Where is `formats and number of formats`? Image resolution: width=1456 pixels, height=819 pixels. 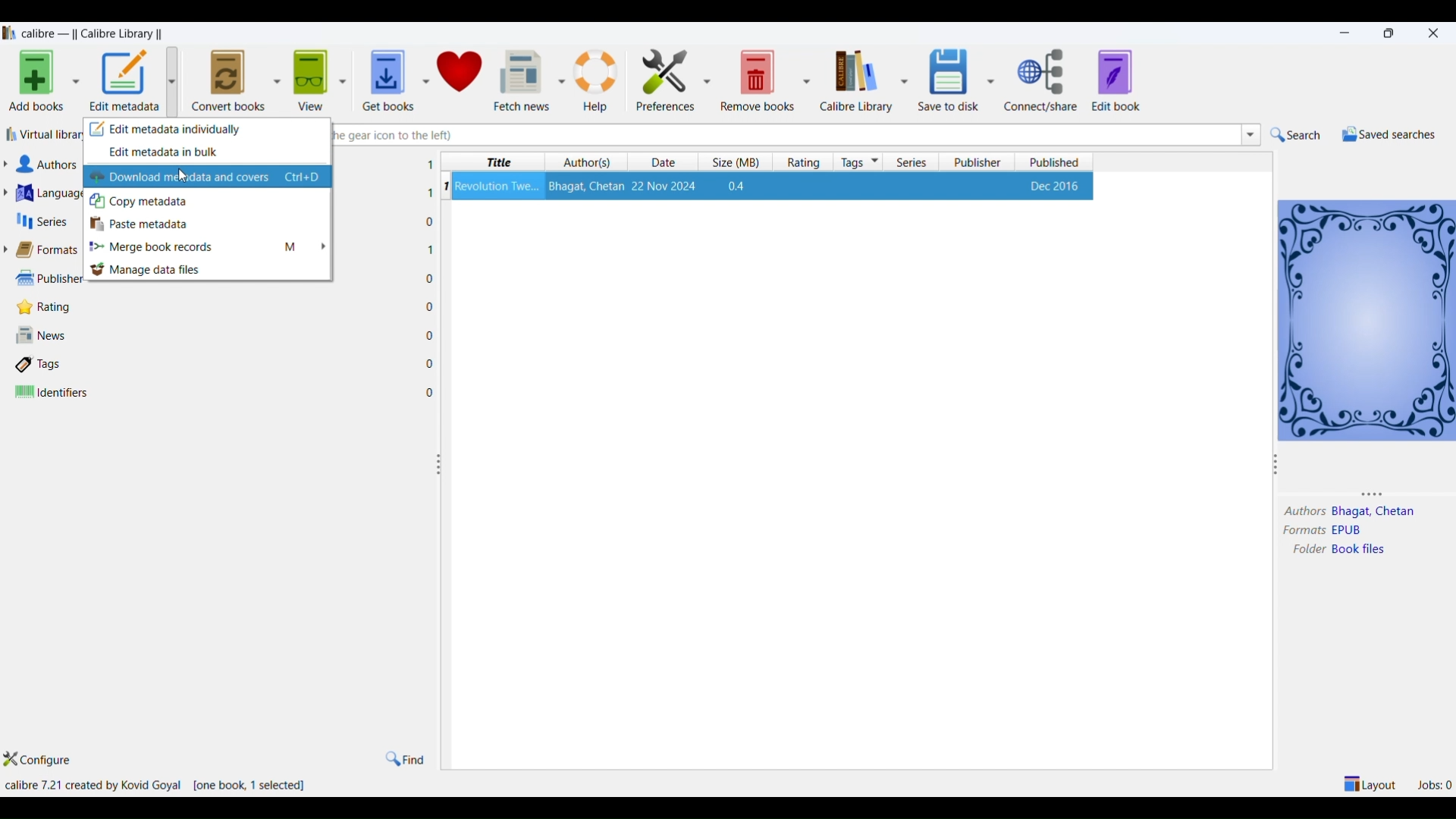 formats and number of formats is located at coordinates (52, 251).